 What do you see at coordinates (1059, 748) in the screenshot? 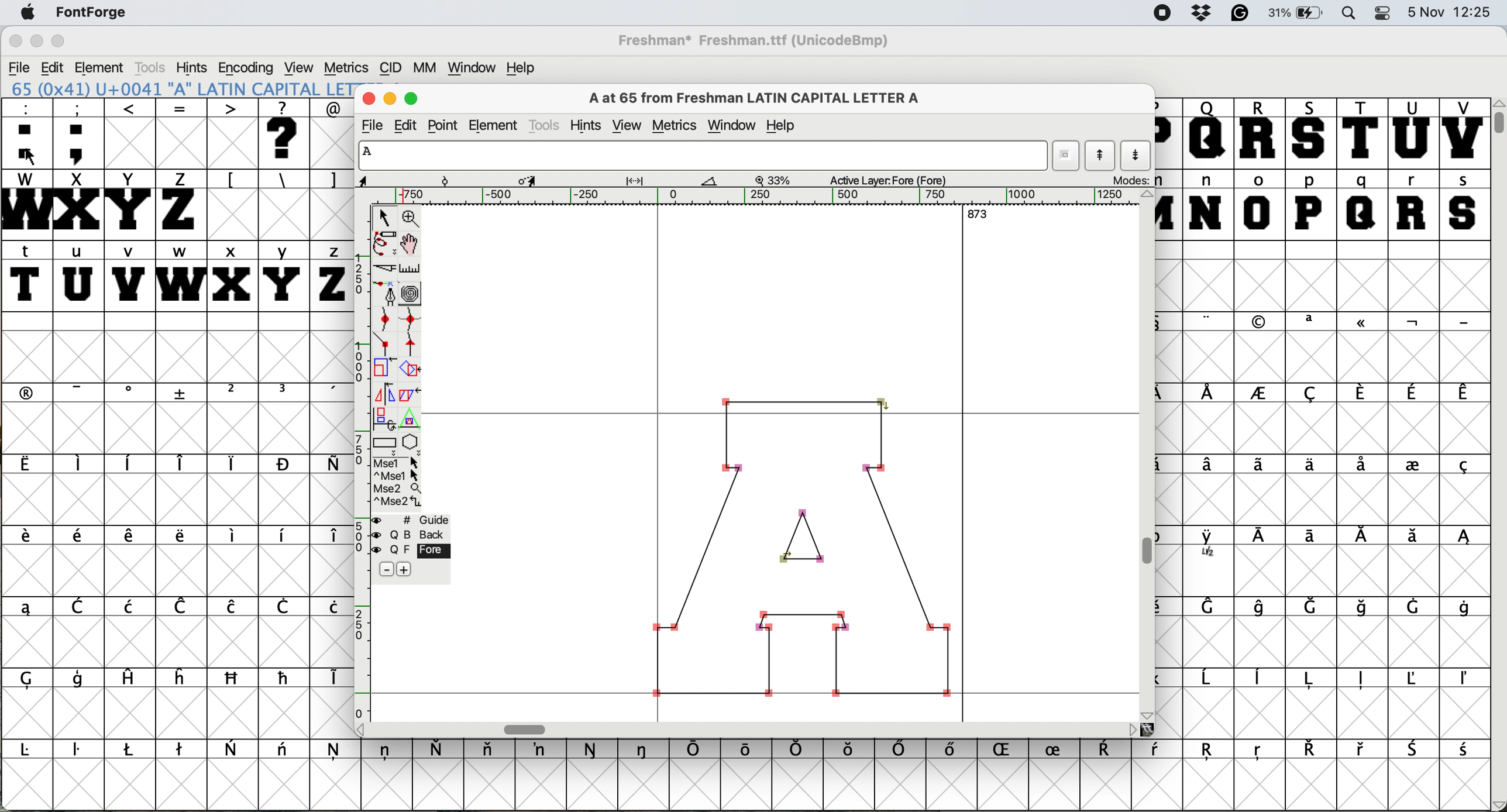
I see `symbol` at bounding box center [1059, 748].